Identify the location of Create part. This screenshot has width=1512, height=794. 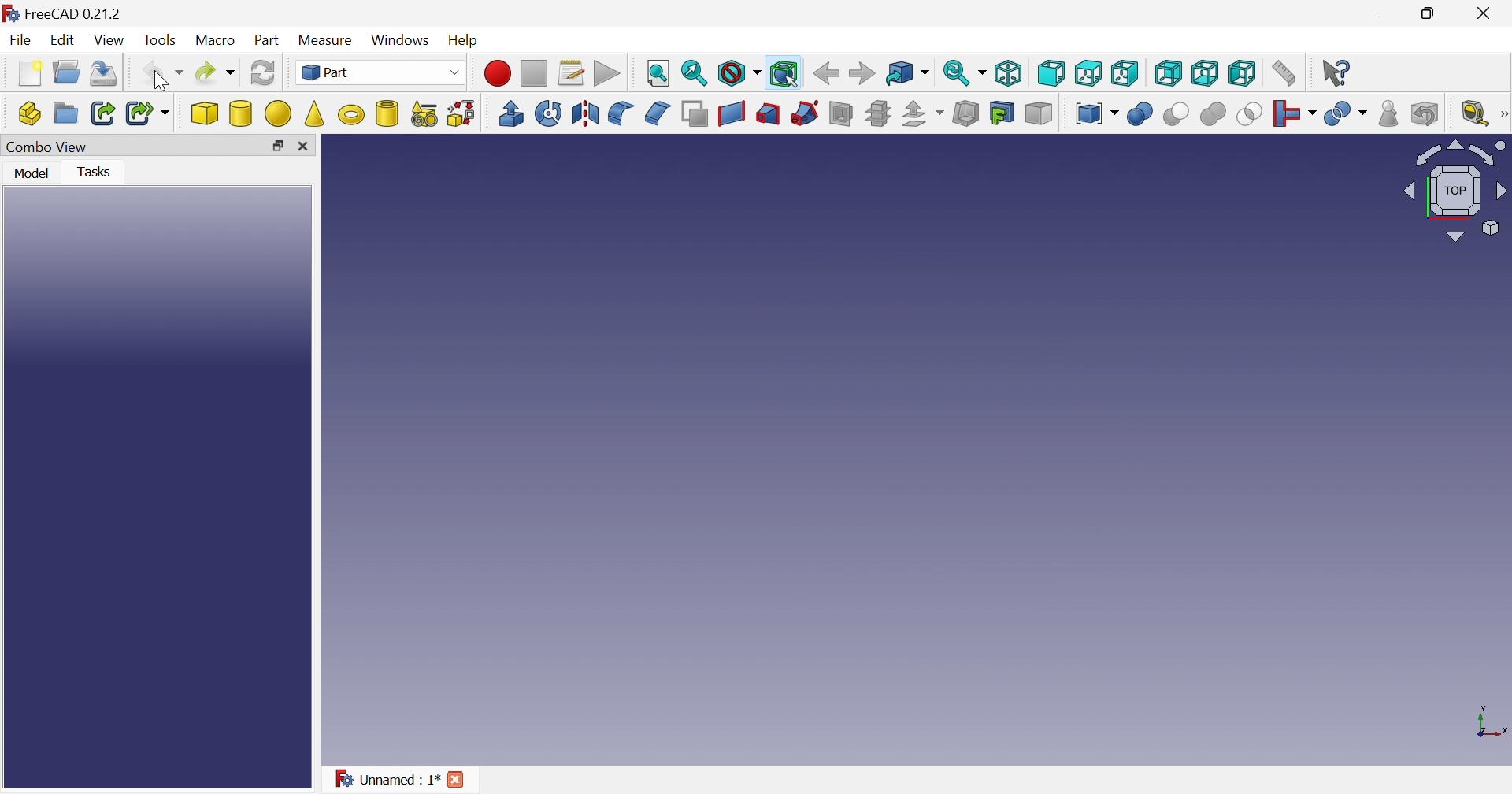
(28, 113).